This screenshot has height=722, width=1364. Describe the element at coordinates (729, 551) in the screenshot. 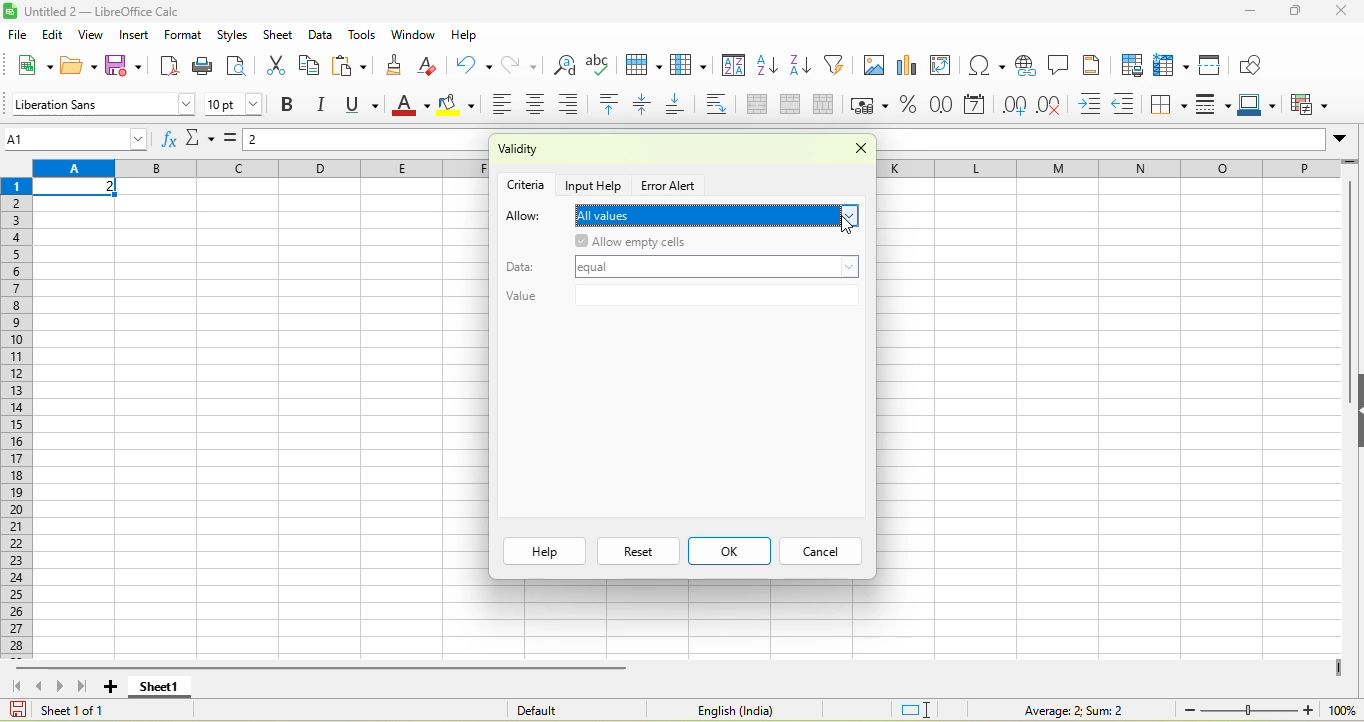

I see `ok` at that location.